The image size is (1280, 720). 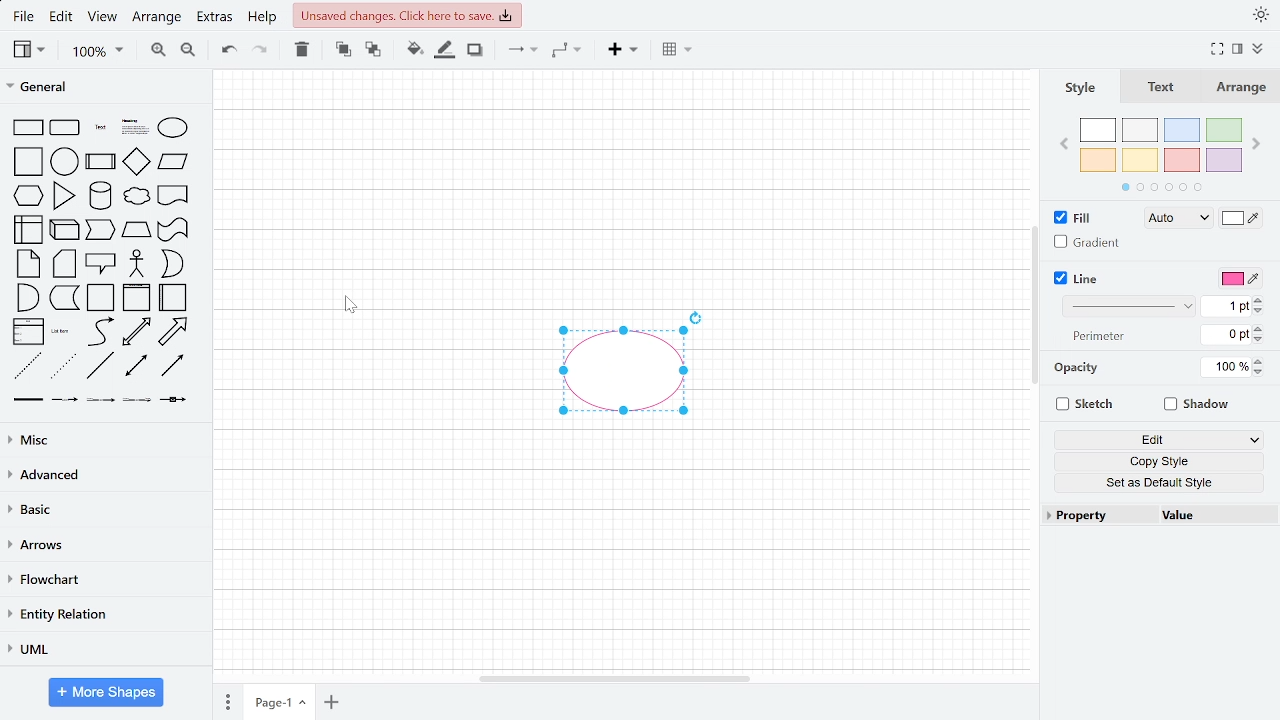 What do you see at coordinates (106, 19) in the screenshot?
I see `view` at bounding box center [106, 19].